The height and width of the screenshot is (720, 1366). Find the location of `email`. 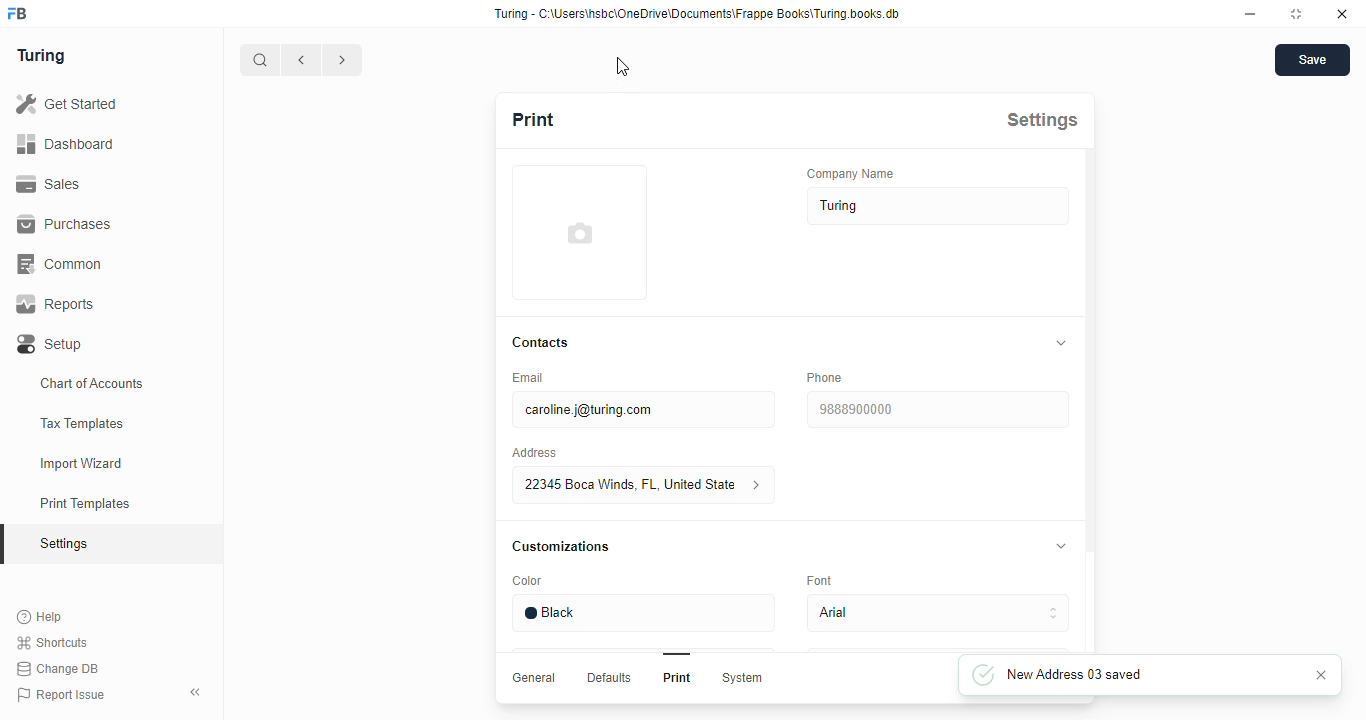

email is located at coordinates (530, 377).